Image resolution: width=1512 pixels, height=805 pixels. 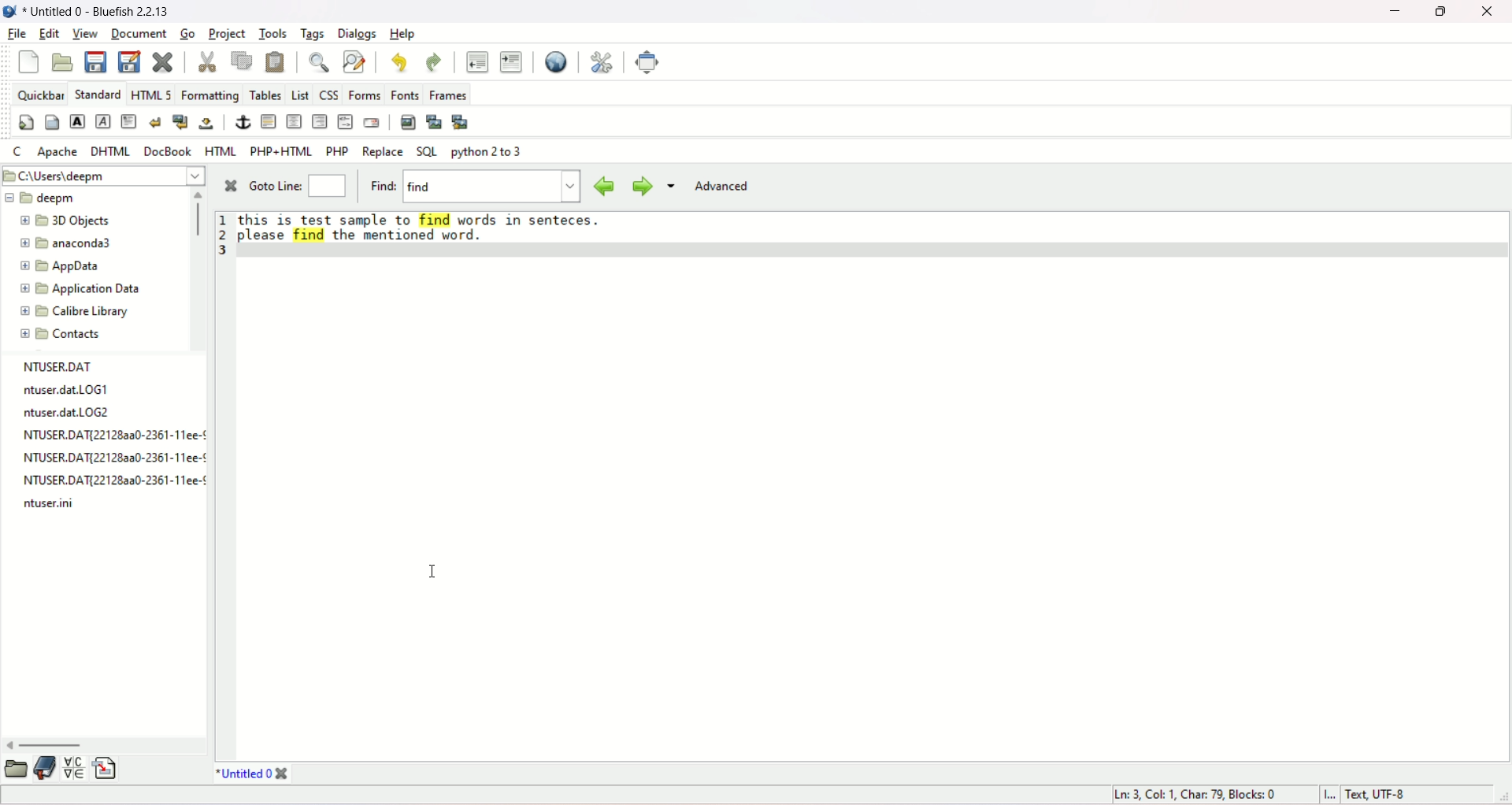 I want to click on STANDARD, so click(x=99, y=95).